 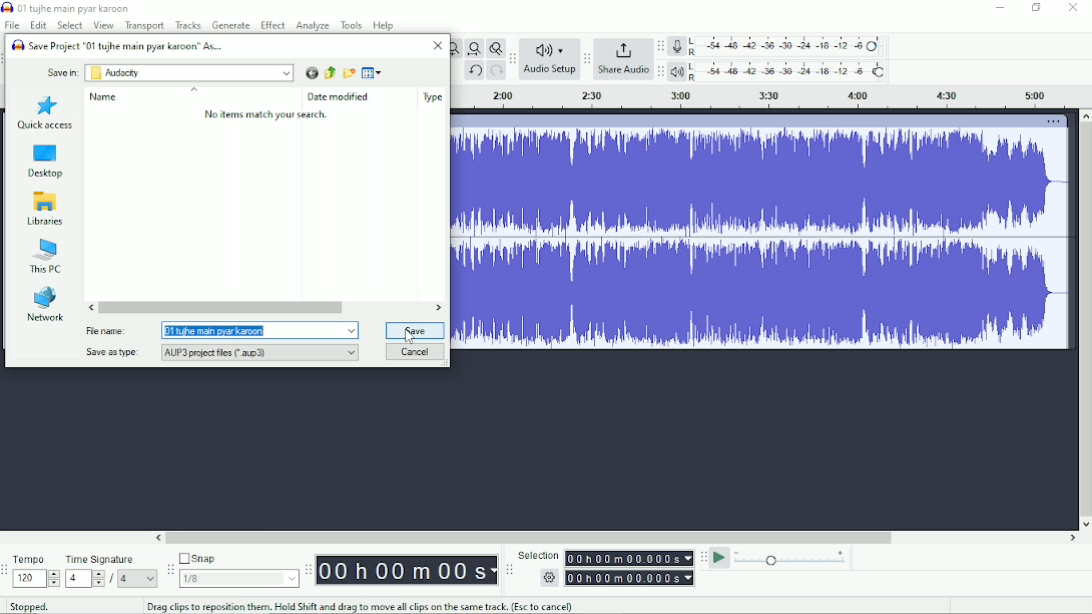 I want to click on Network, so click(x=46, y=303).